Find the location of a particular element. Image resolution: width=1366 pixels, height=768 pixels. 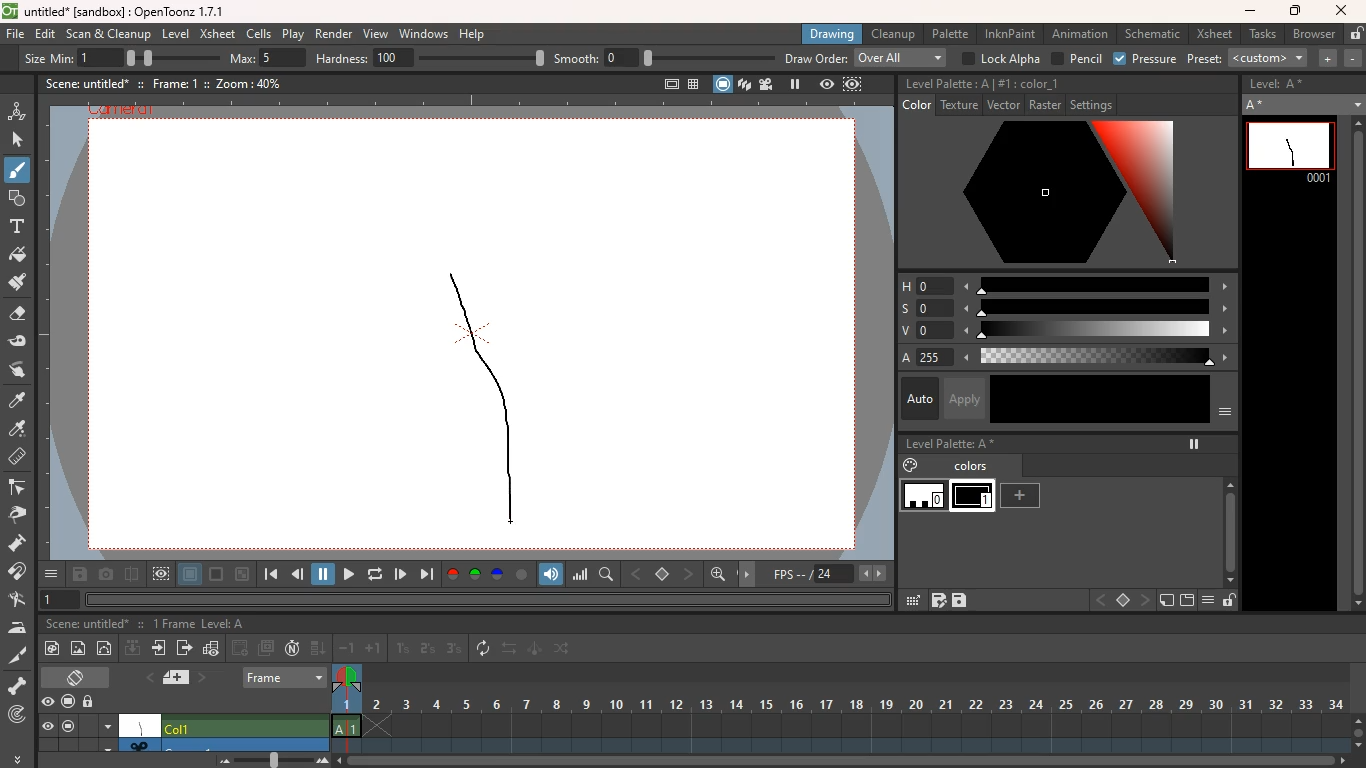

green is located at coordinates (476, 575).